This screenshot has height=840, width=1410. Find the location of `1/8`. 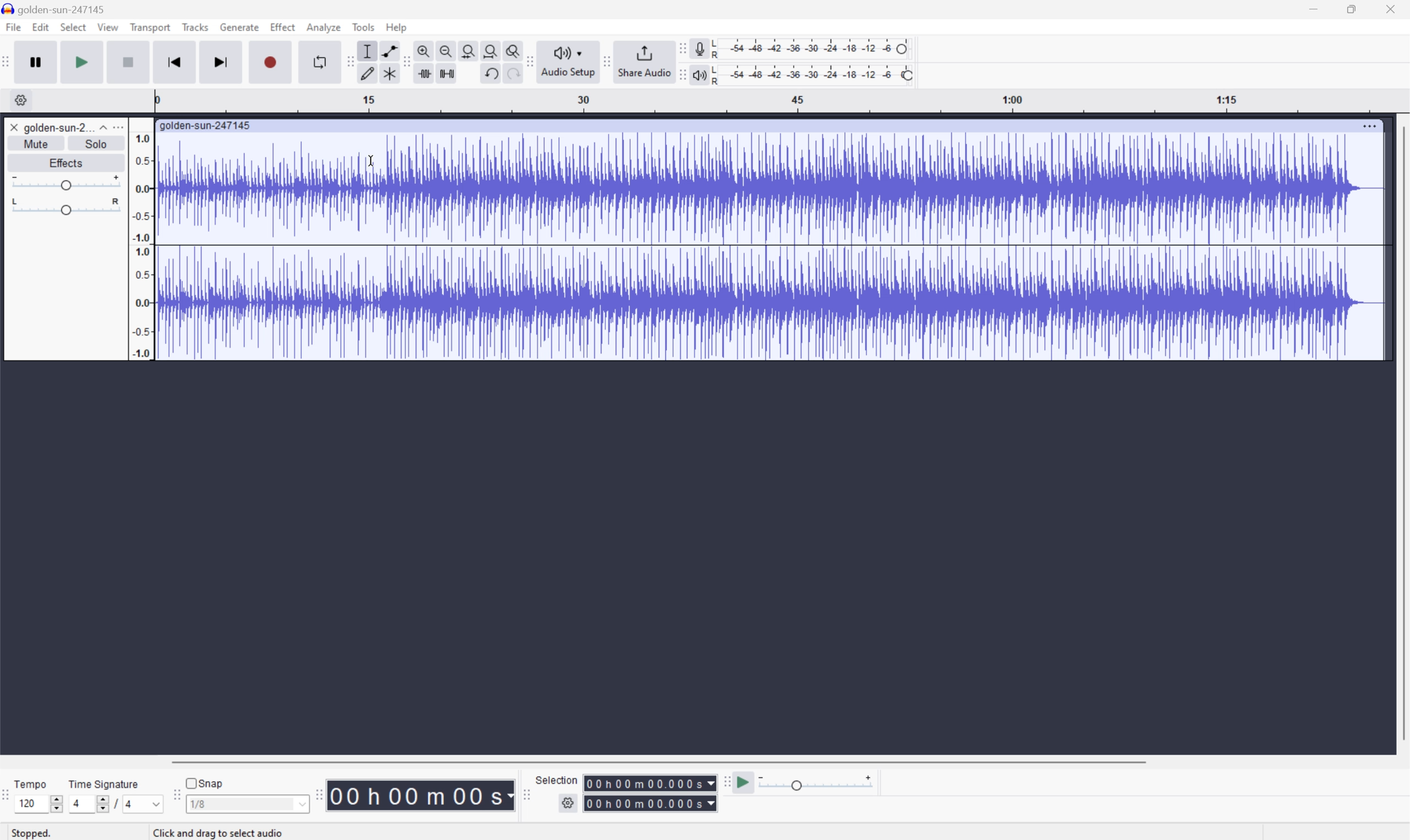

1/8 is located at coordinates (198, 803).